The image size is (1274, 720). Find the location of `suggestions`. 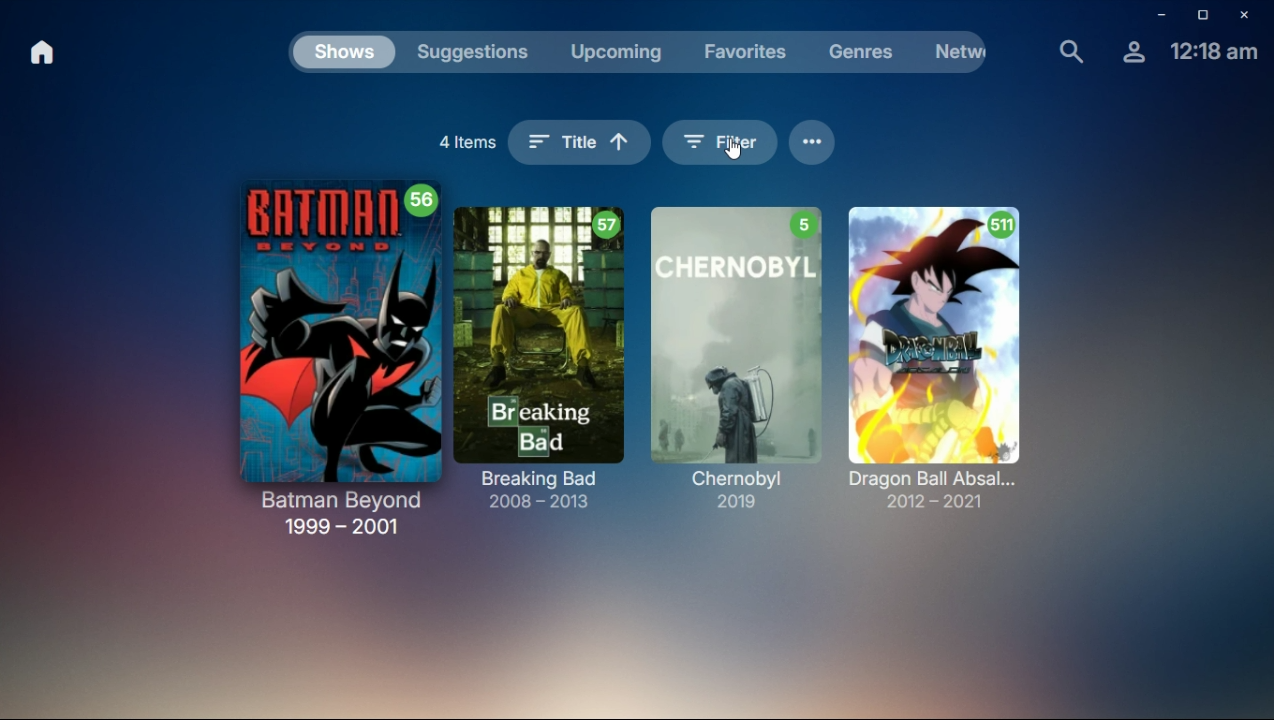

suggestions is located at coordinates (474, 53).